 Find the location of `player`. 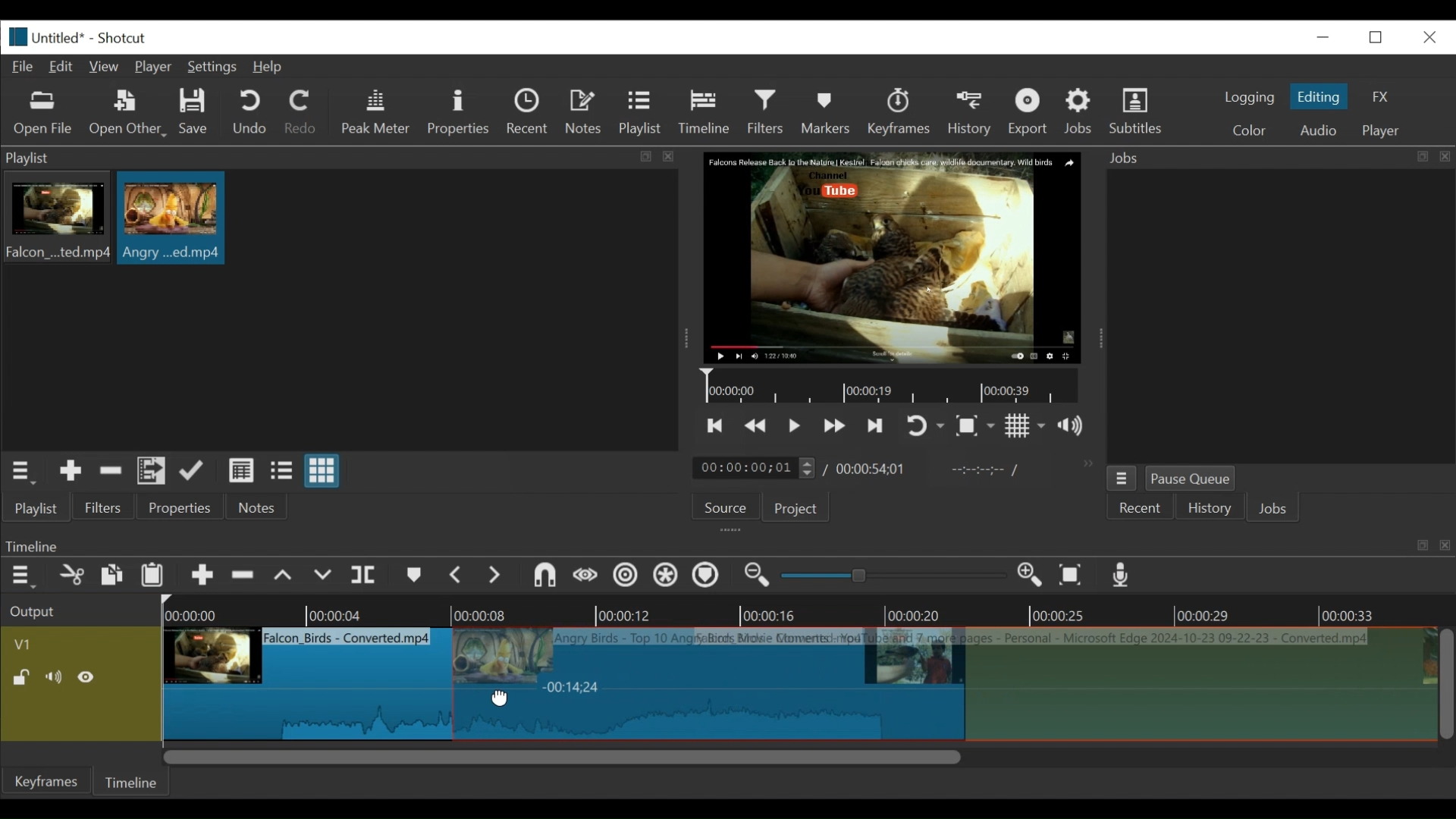

player is located at coordinates (1382, 131).